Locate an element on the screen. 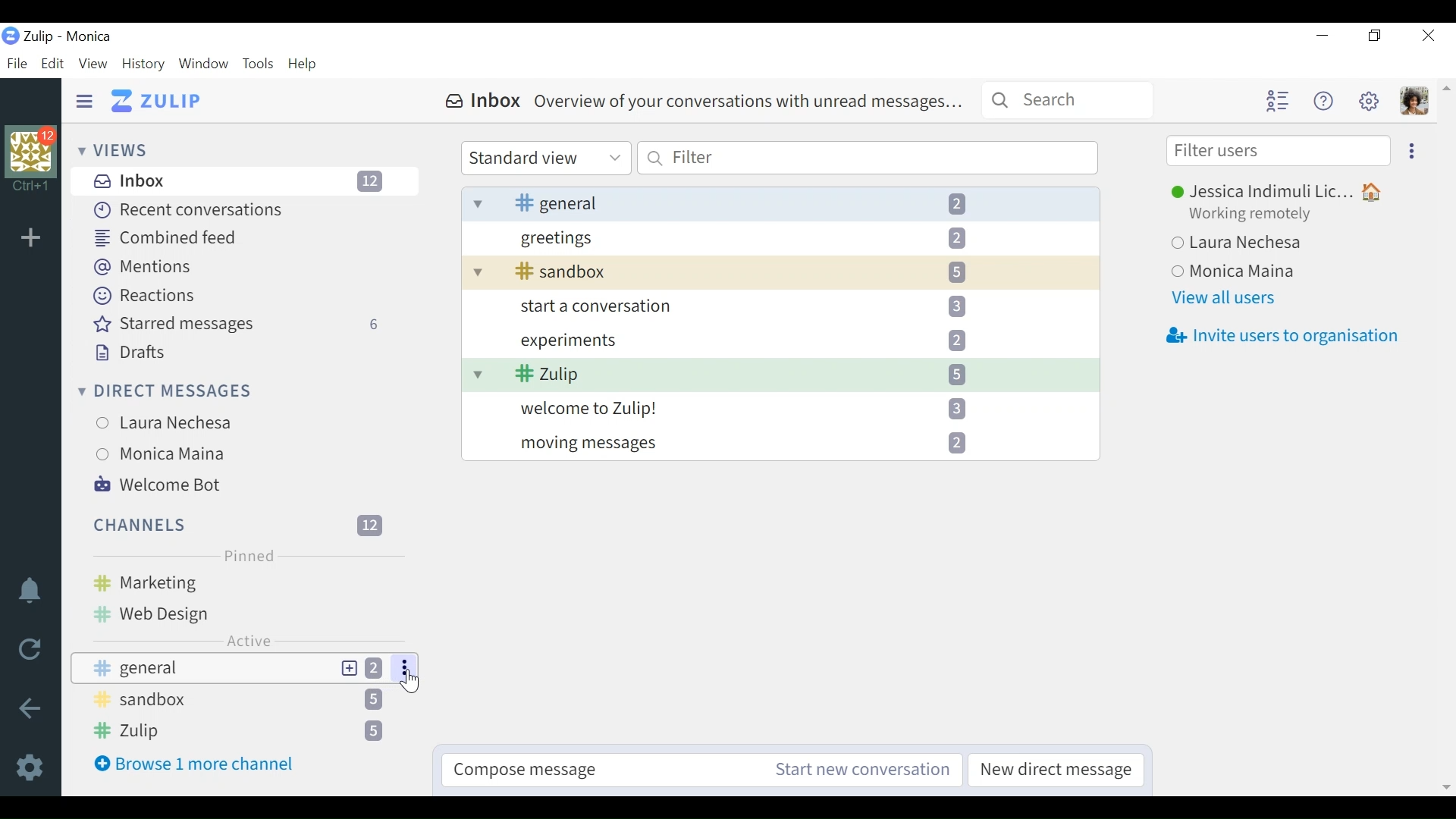 The height and width of the screenshot is (819, 1456). Main menu is located at coordinates (1367, 100).